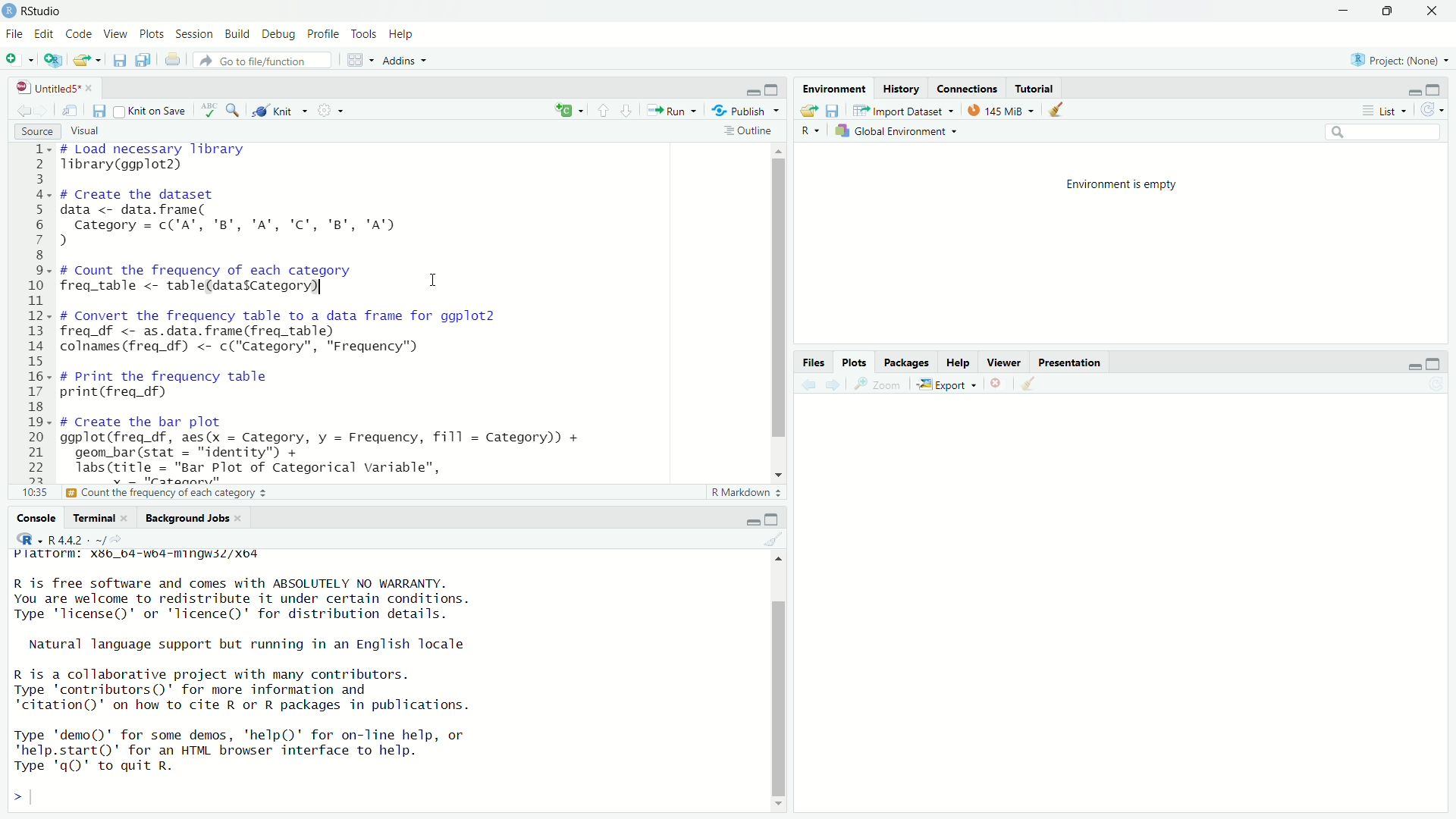 This screenshot has width=1456, height=819. What do you see at coordinates (164, 493) in the screenshot?
I see `Create the bar plot` at bounding box center [164, 493].